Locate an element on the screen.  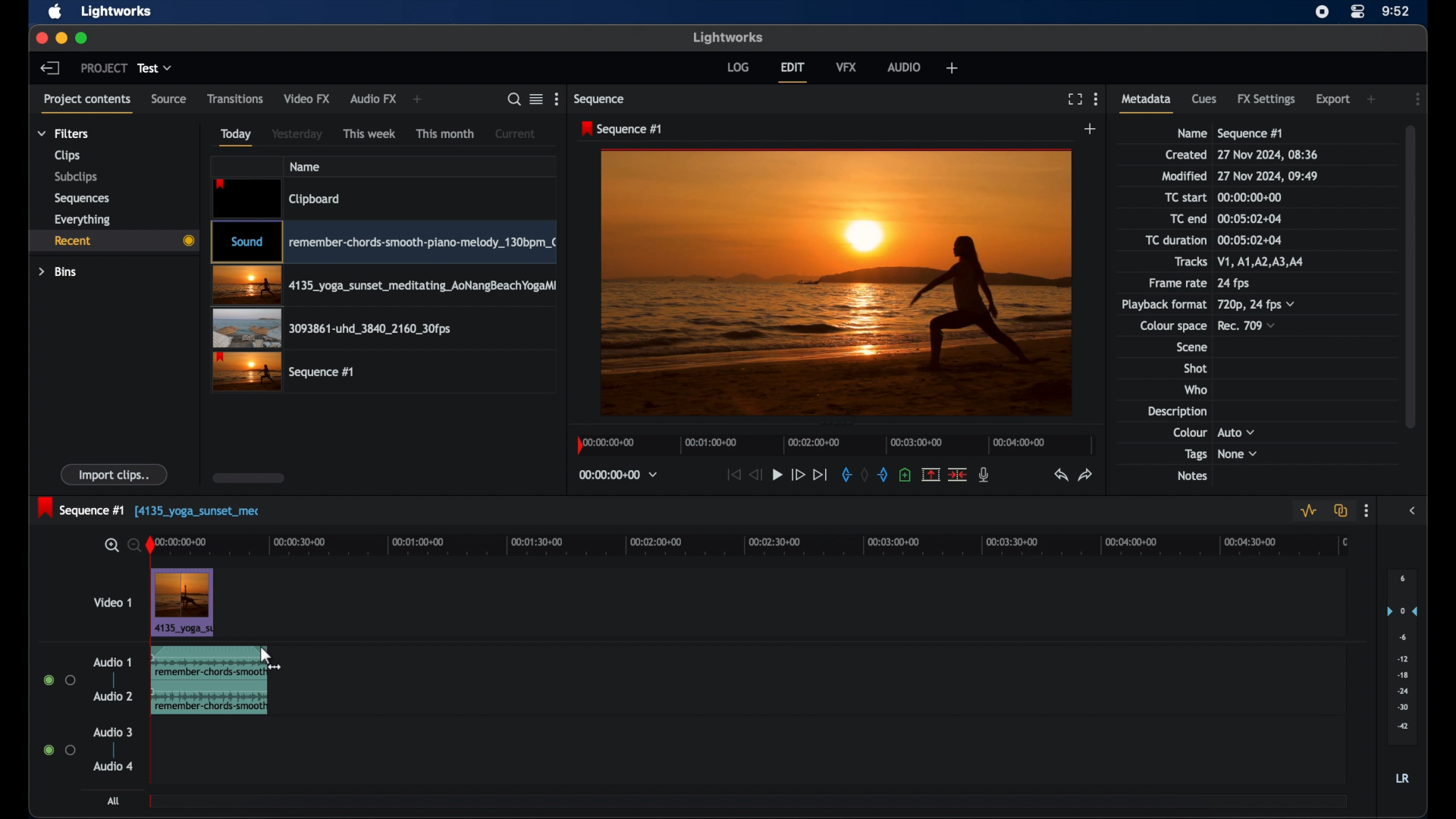
modified is located at coordinates (1184, 176).